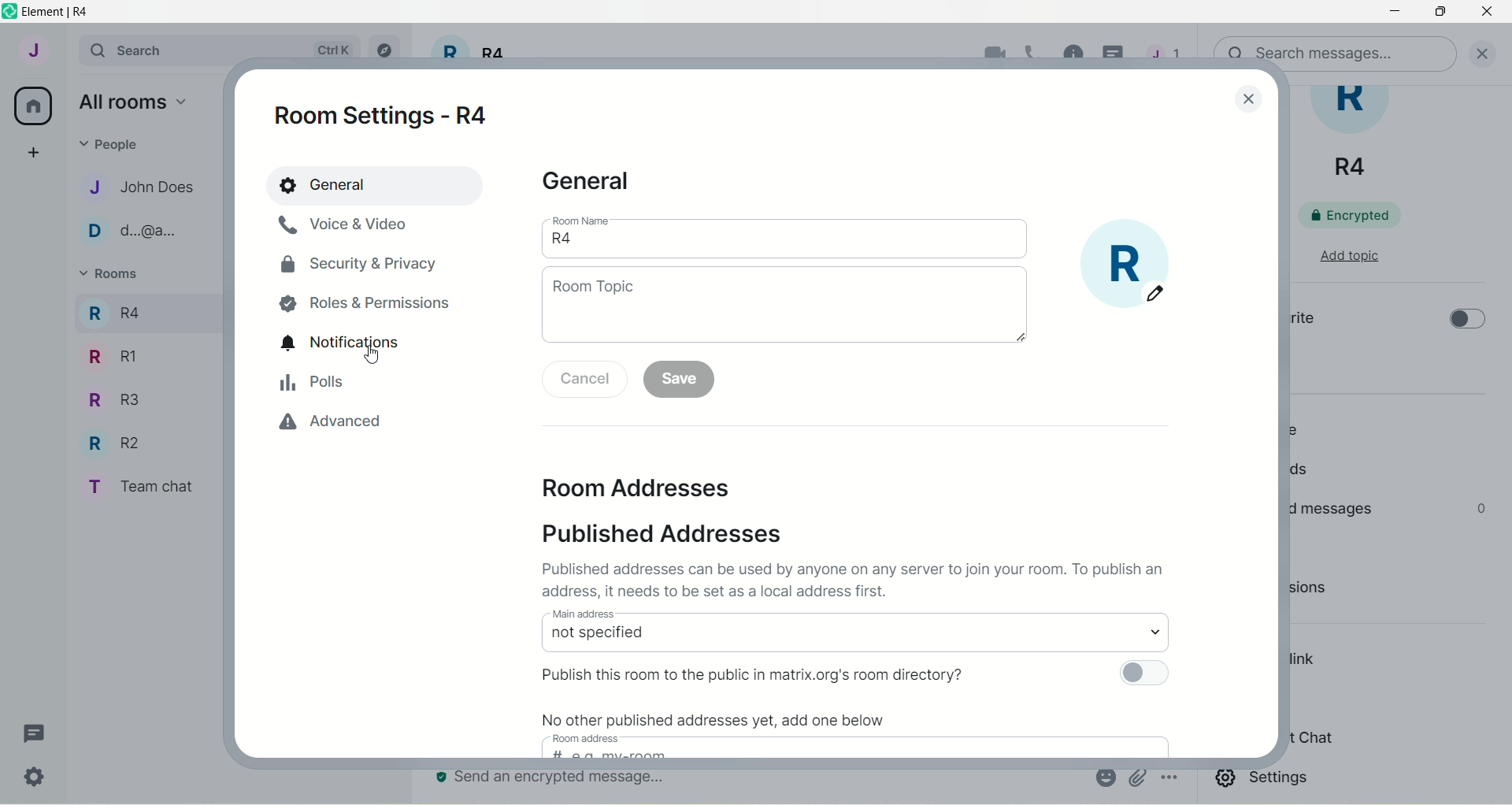 The image size is (1512, 805). I want to click on search message, so click(1332, 52).